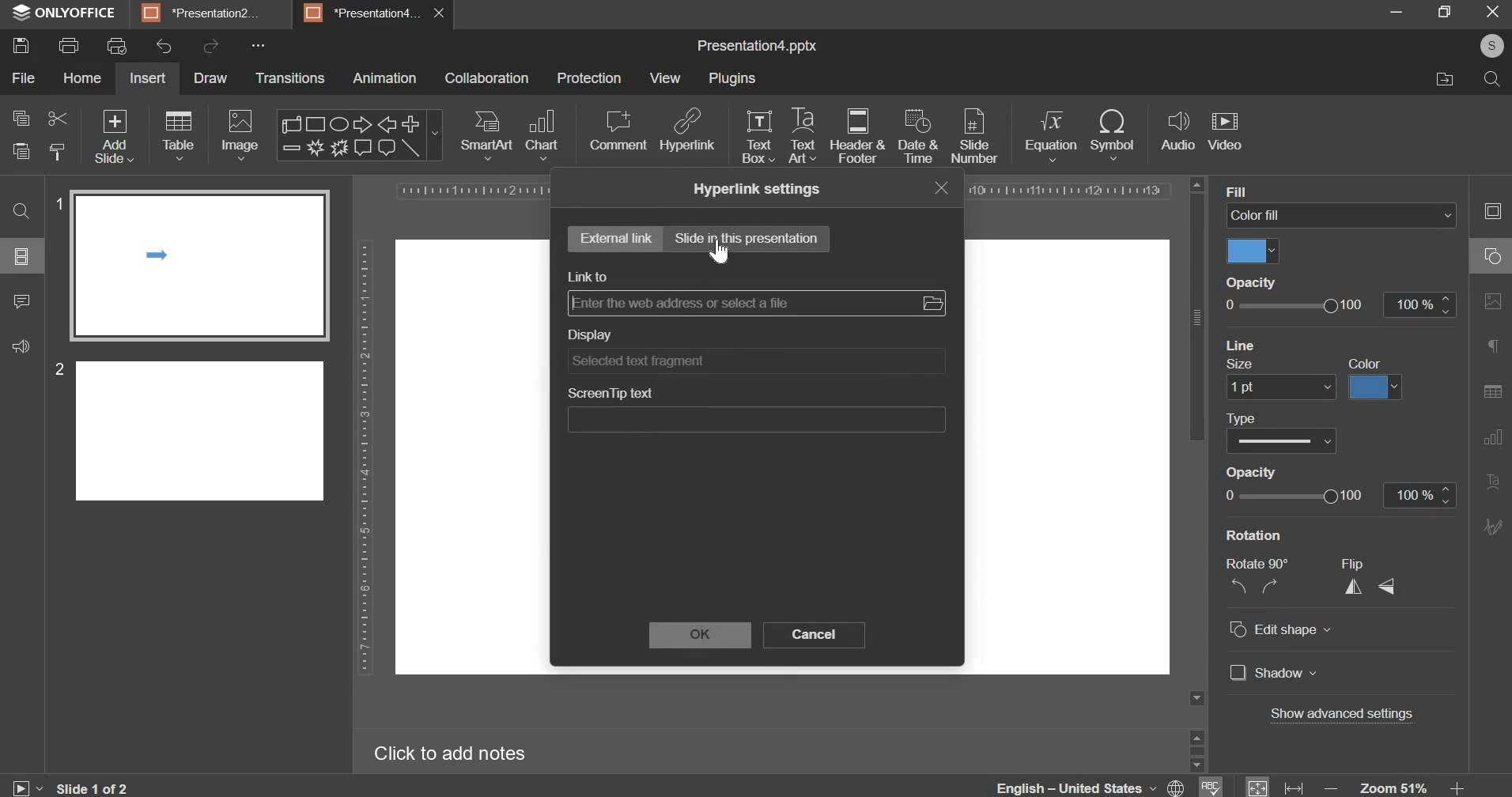 Image resolution: width=1512 pixels, height=797 pixels. Describe the element at coordinates (1270, 673) in the screenshot. I see `] Shadow` at that location.